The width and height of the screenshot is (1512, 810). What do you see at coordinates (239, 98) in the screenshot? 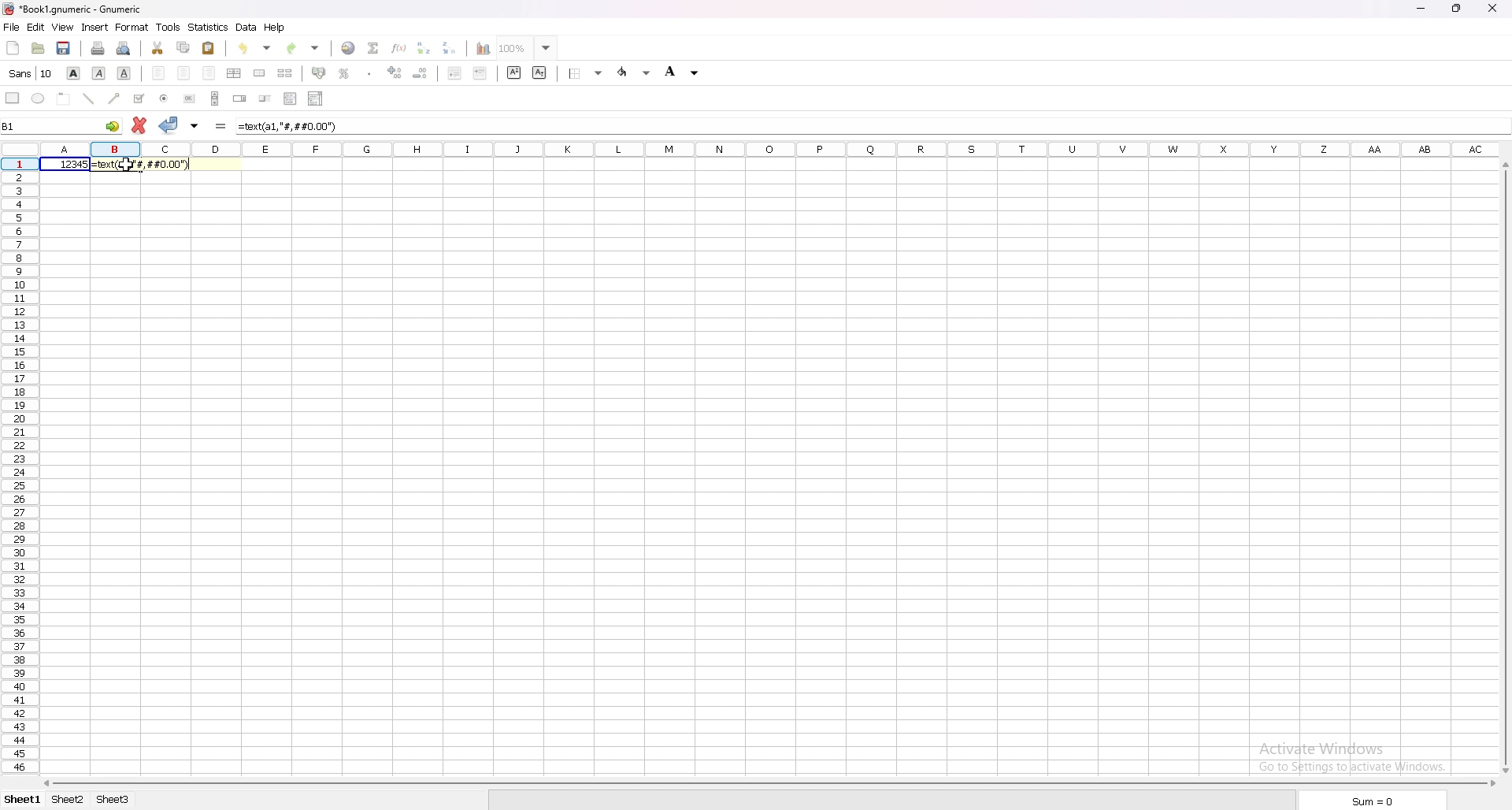
I see `spin button` at bounding box center [239, 98].